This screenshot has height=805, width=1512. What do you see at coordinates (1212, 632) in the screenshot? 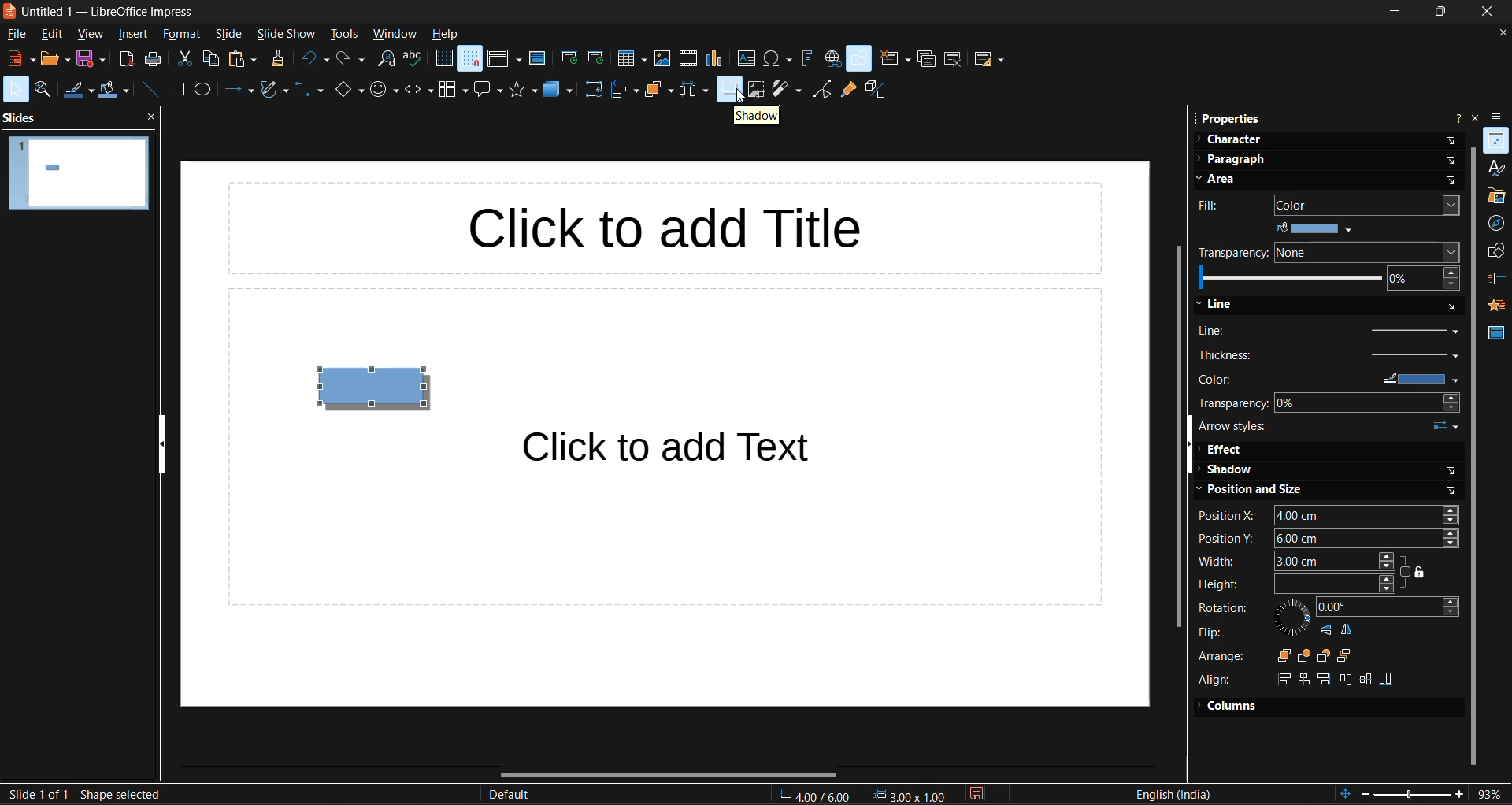
I see `flip` at bounding box center [1212, 632].